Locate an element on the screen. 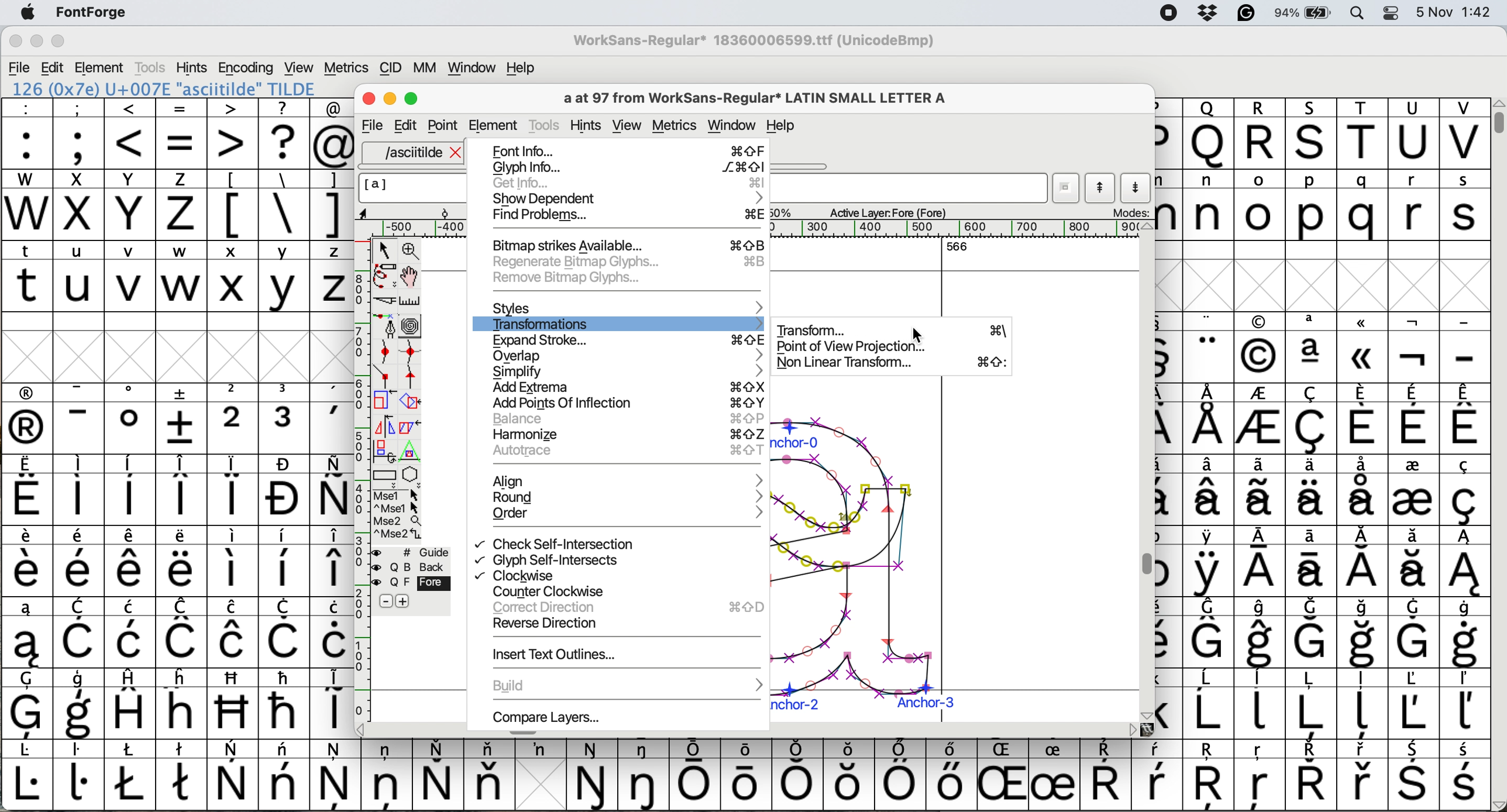 This screenshot has height=812, width=1507. symbol is located at coordinates (1262, 633).